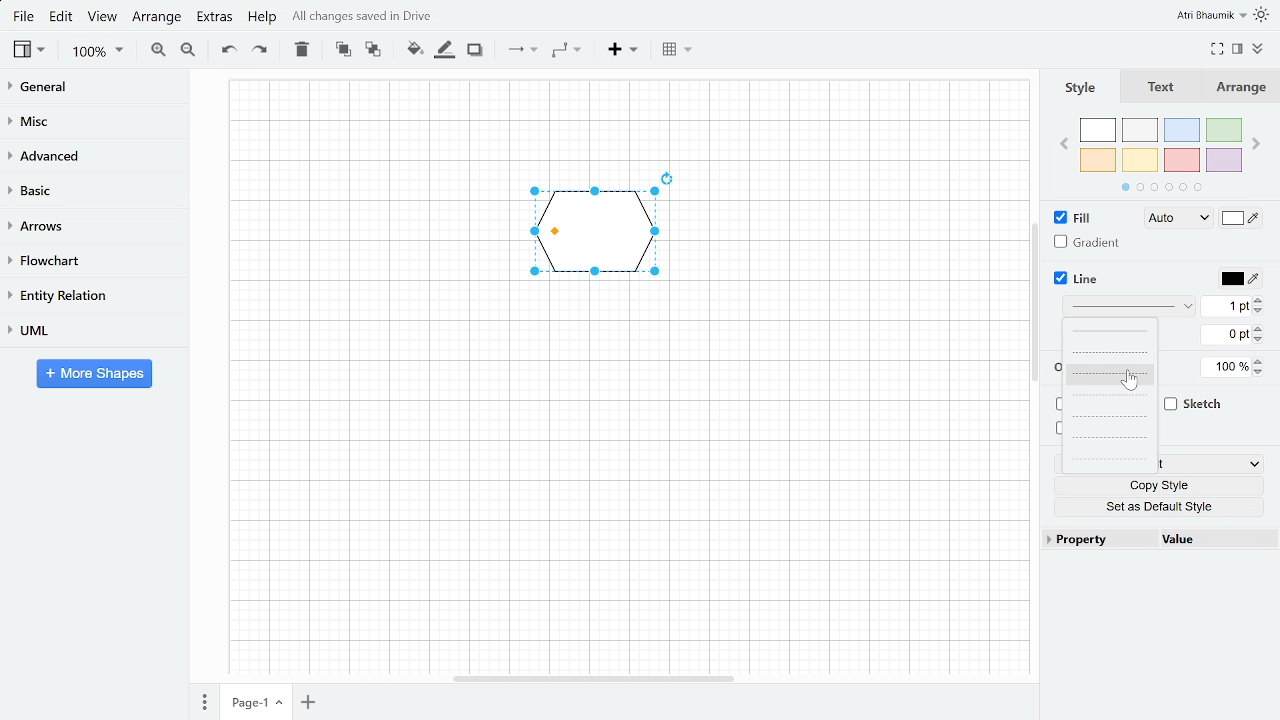 Image resolution: width=1280 pixels, height=720 pixels. What do you see at coordinates (448, 51) in the screenshot?
I see `Fill line` at bounding box center [448, 51].